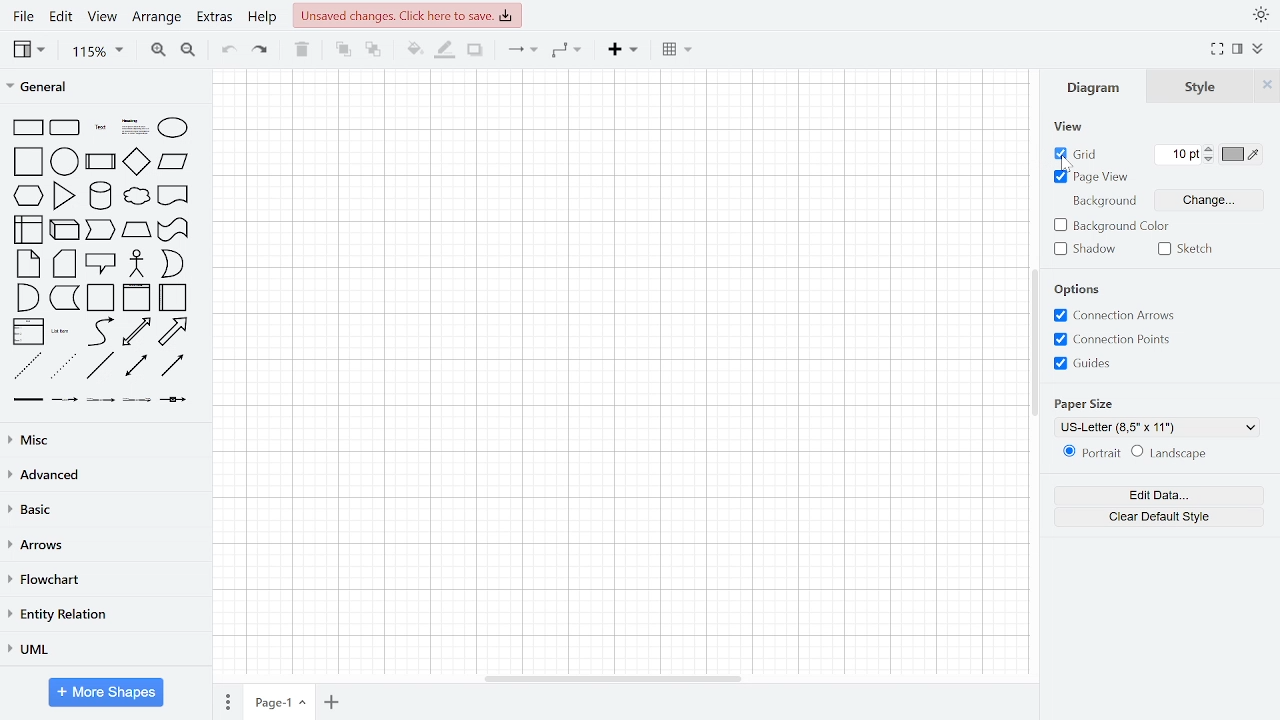  I want to click on Background color, so click(1110, 225).